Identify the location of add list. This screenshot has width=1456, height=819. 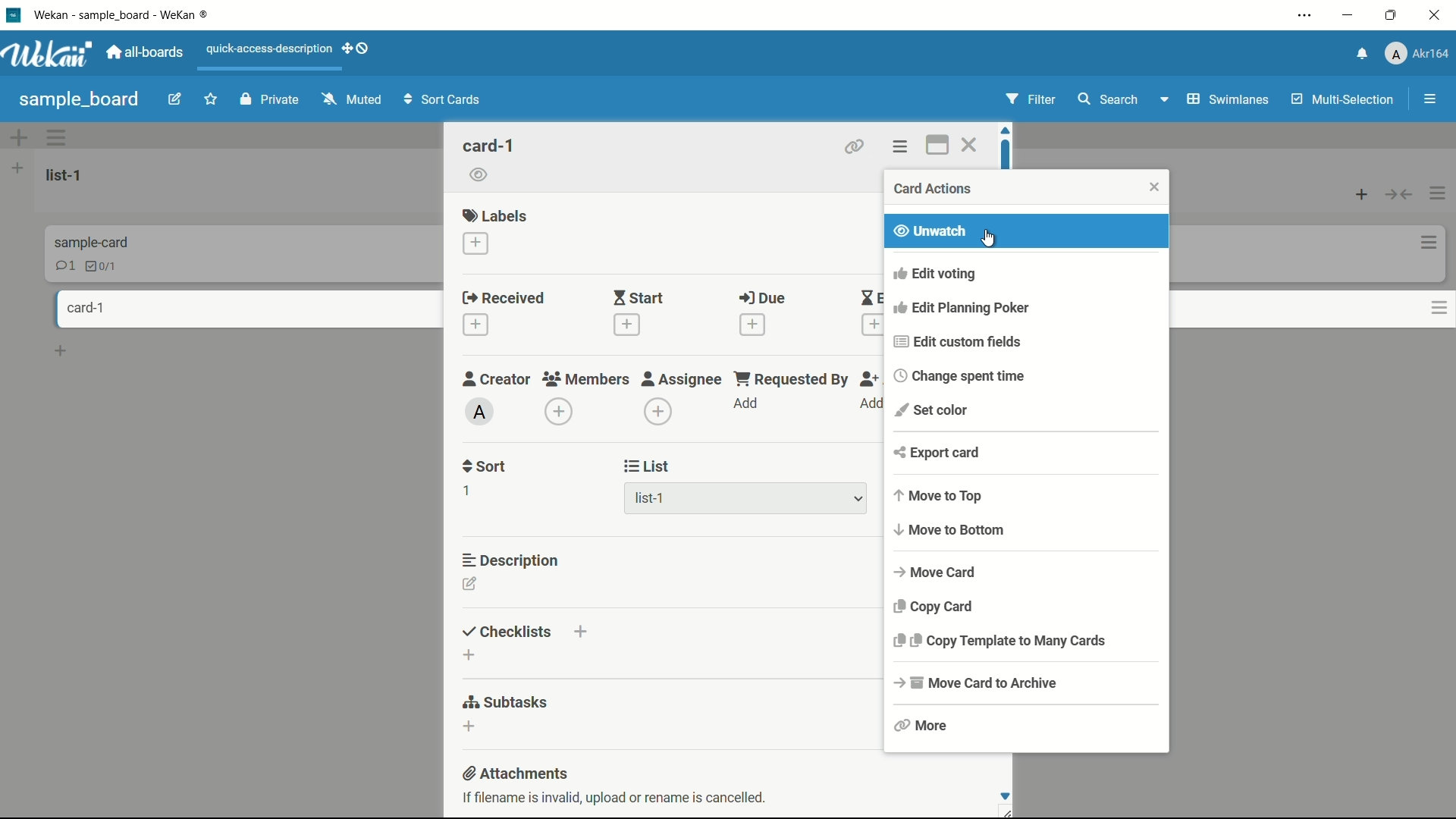
(19, 168).